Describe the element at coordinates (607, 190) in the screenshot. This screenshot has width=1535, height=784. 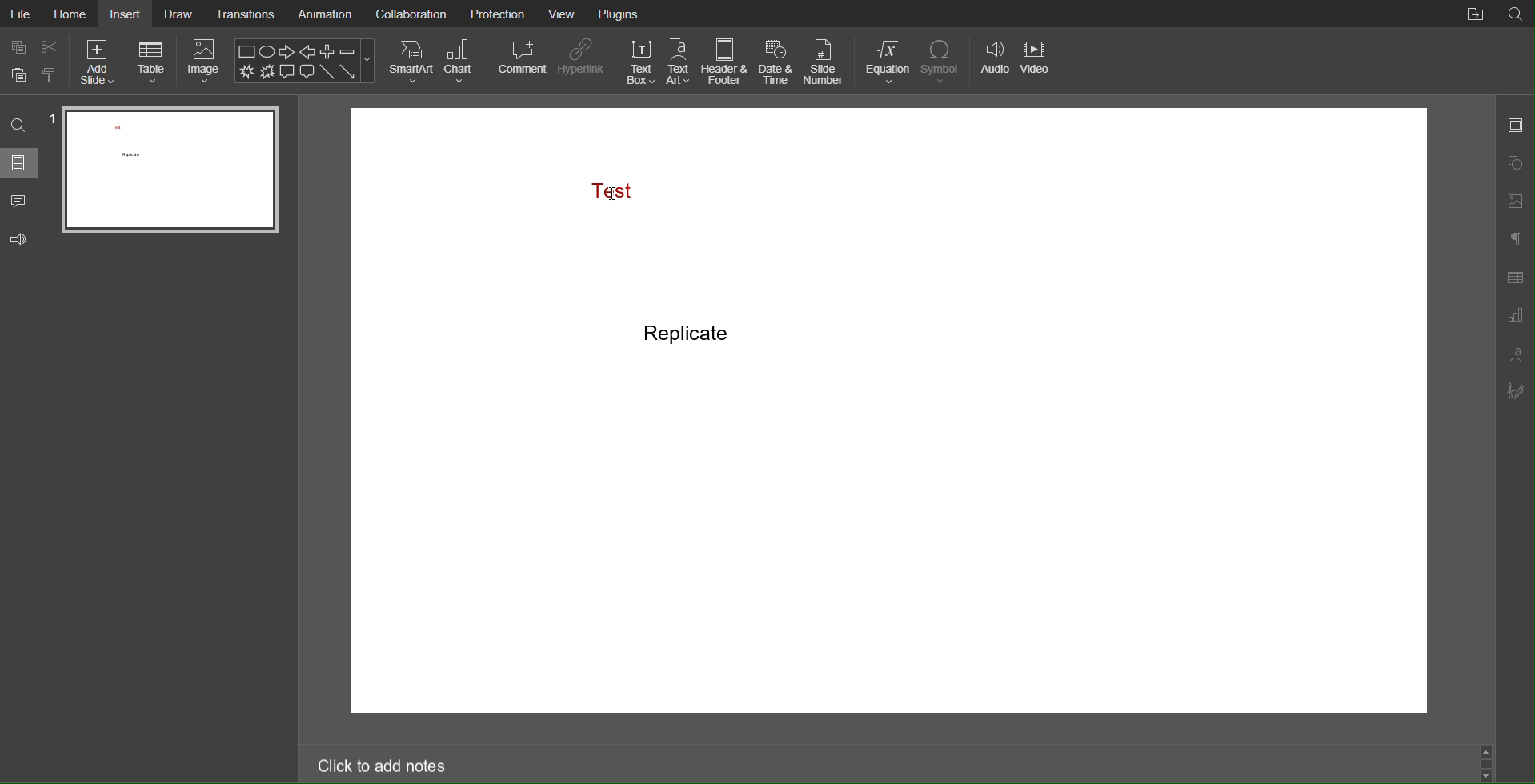
I see `Test` at that location.